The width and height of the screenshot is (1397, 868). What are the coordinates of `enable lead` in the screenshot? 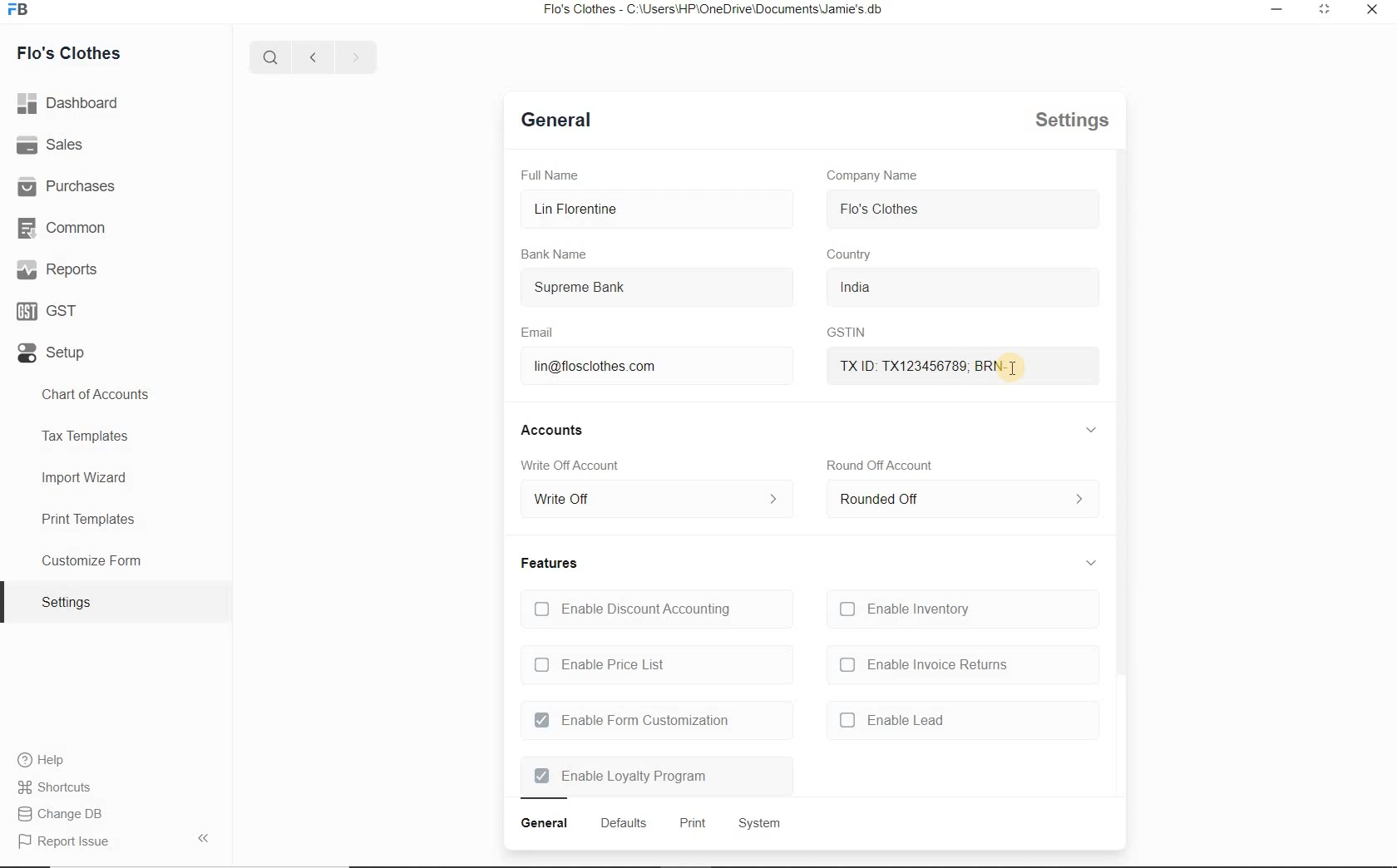 It's located at (892, 719).